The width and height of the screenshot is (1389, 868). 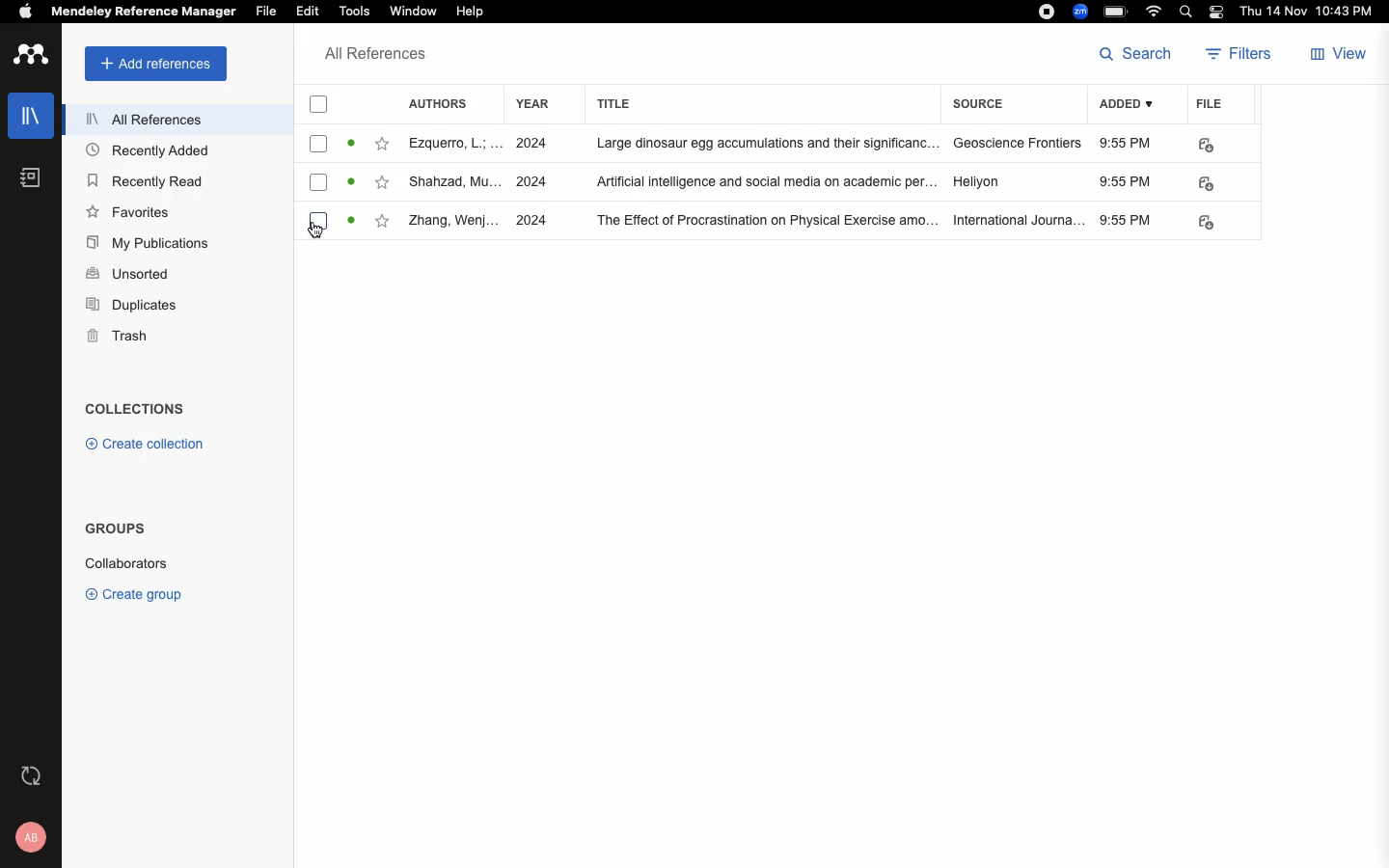 What do you see at coordinates (376, 58) in the screenshot?
I see `All references` at bounding box center [376, 58].